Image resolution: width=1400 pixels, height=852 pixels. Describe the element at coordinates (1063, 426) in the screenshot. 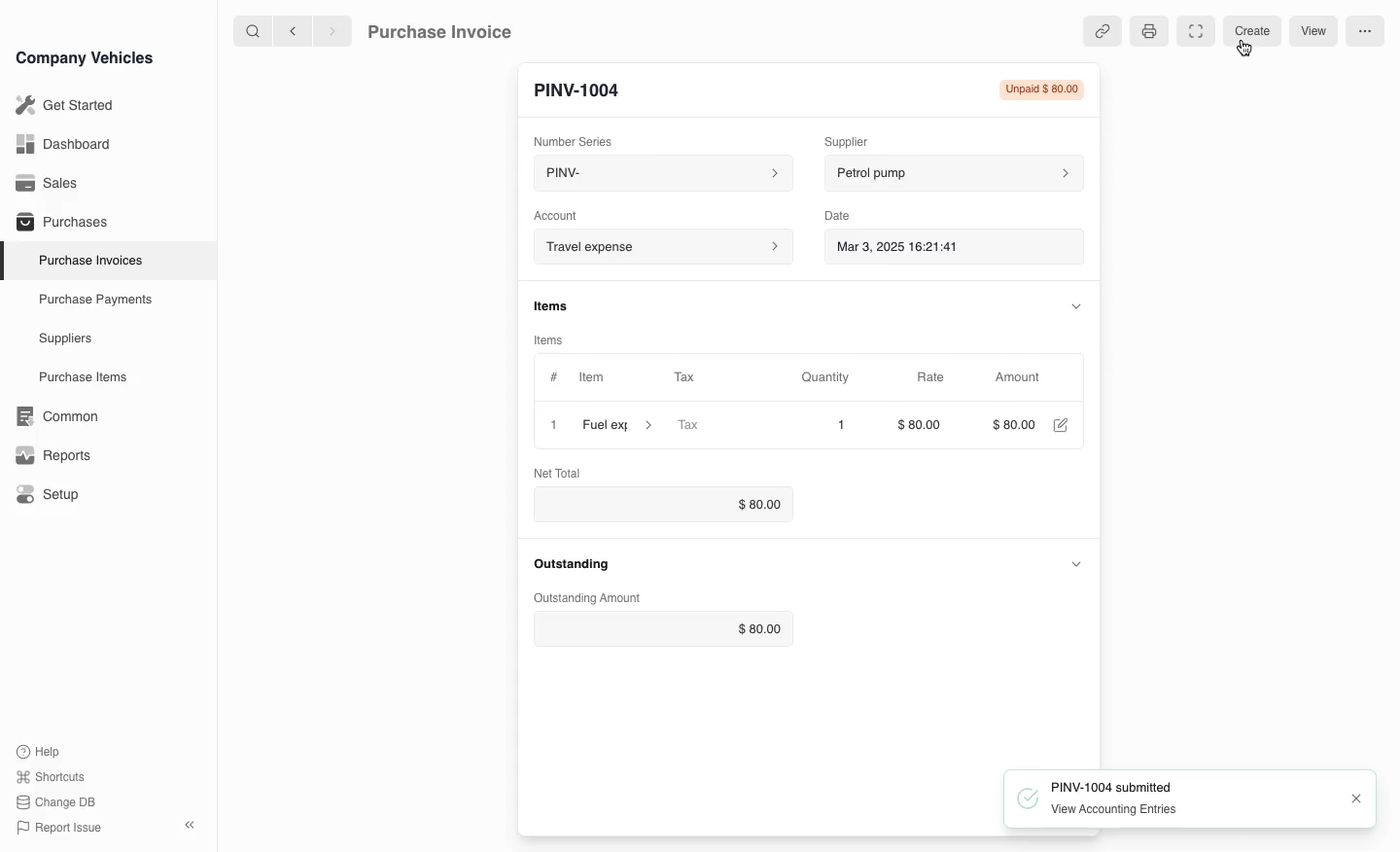

I see `edit` at that location.